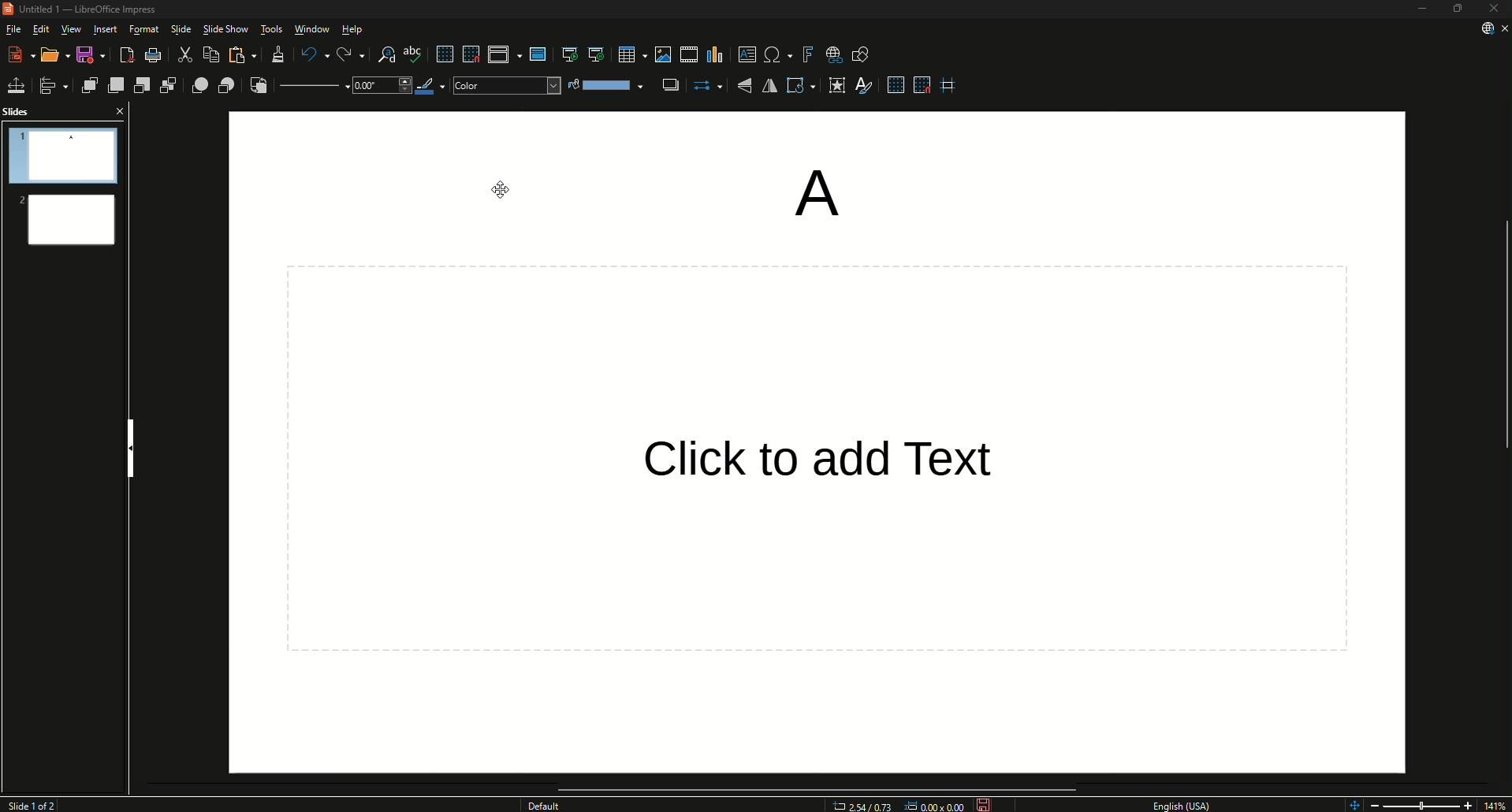  What do you see at coordinates (378, 89) in the screenshot?
I see `Drop Down` at bounding box center [378, 89].